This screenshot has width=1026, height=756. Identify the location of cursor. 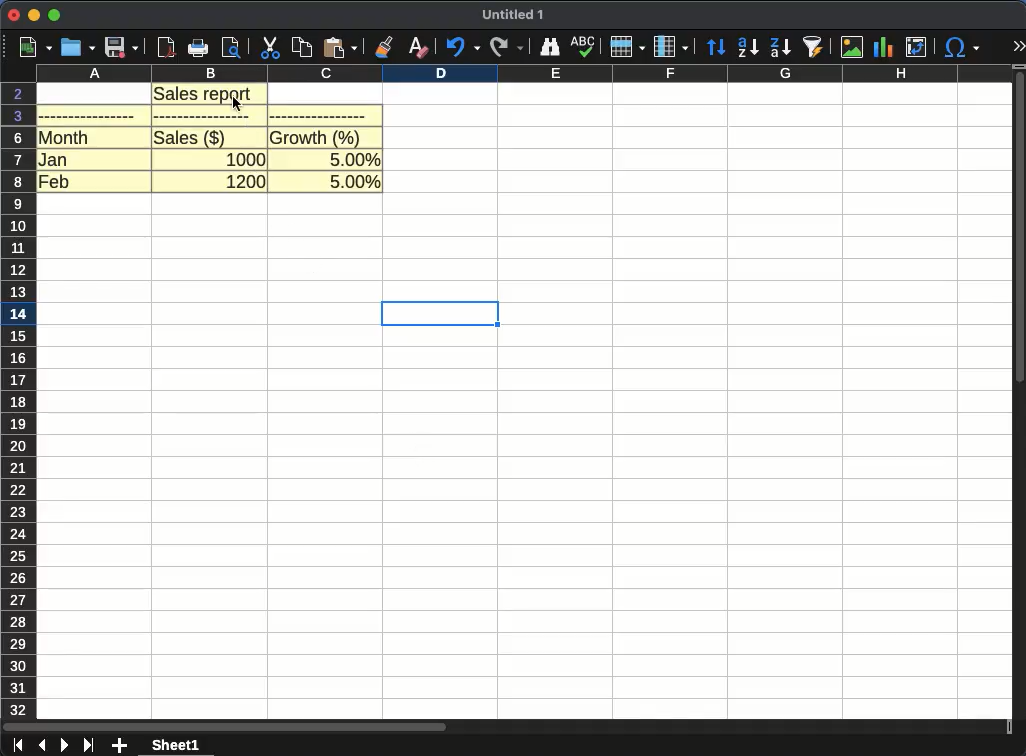
(238, 103).